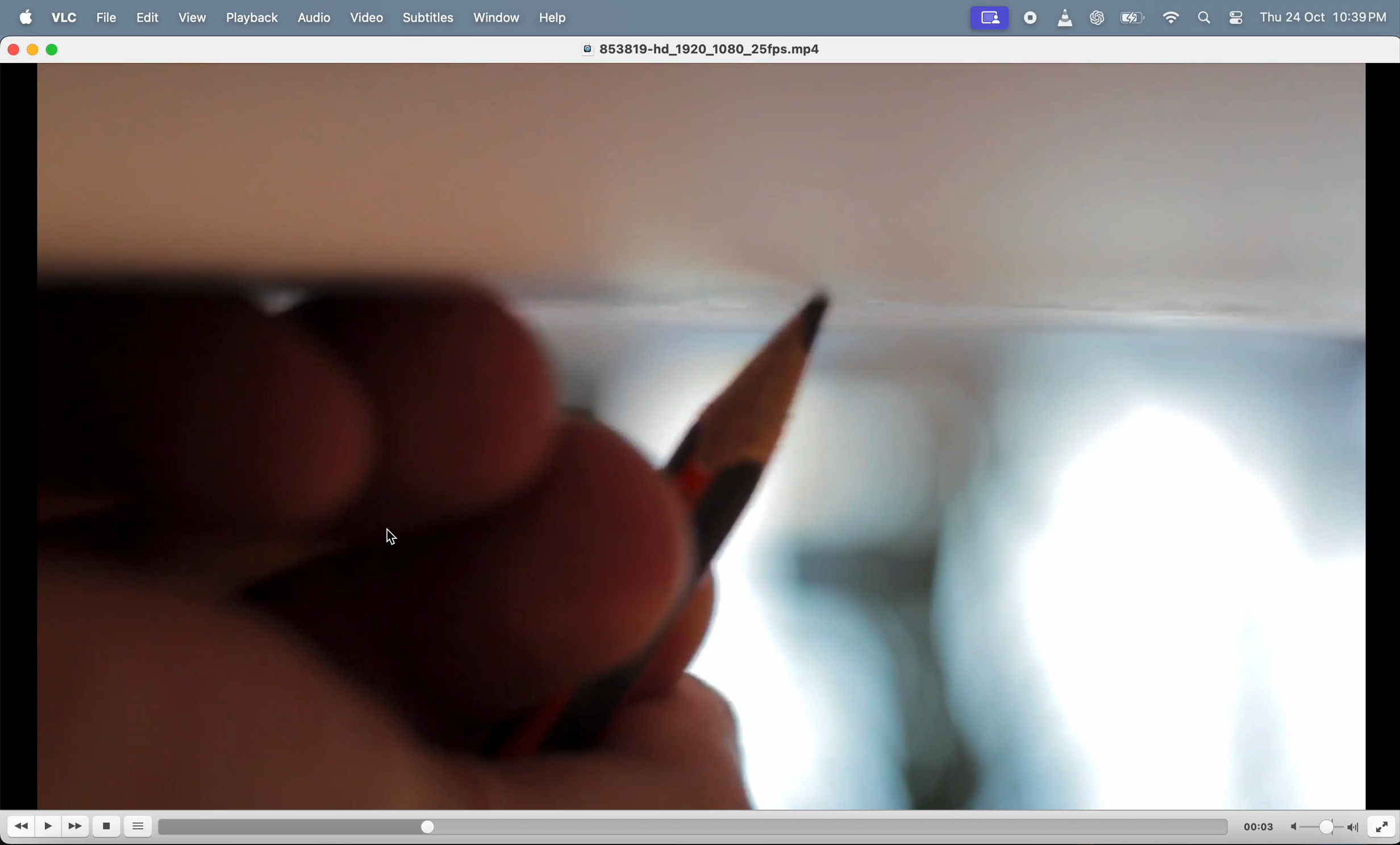 Image resolution: width=1400 pixels, height=845 pixels. What do you see at coordinates (1322, 826) in the screenshot?
I see `volume ` at bounding box center [1322, 826].